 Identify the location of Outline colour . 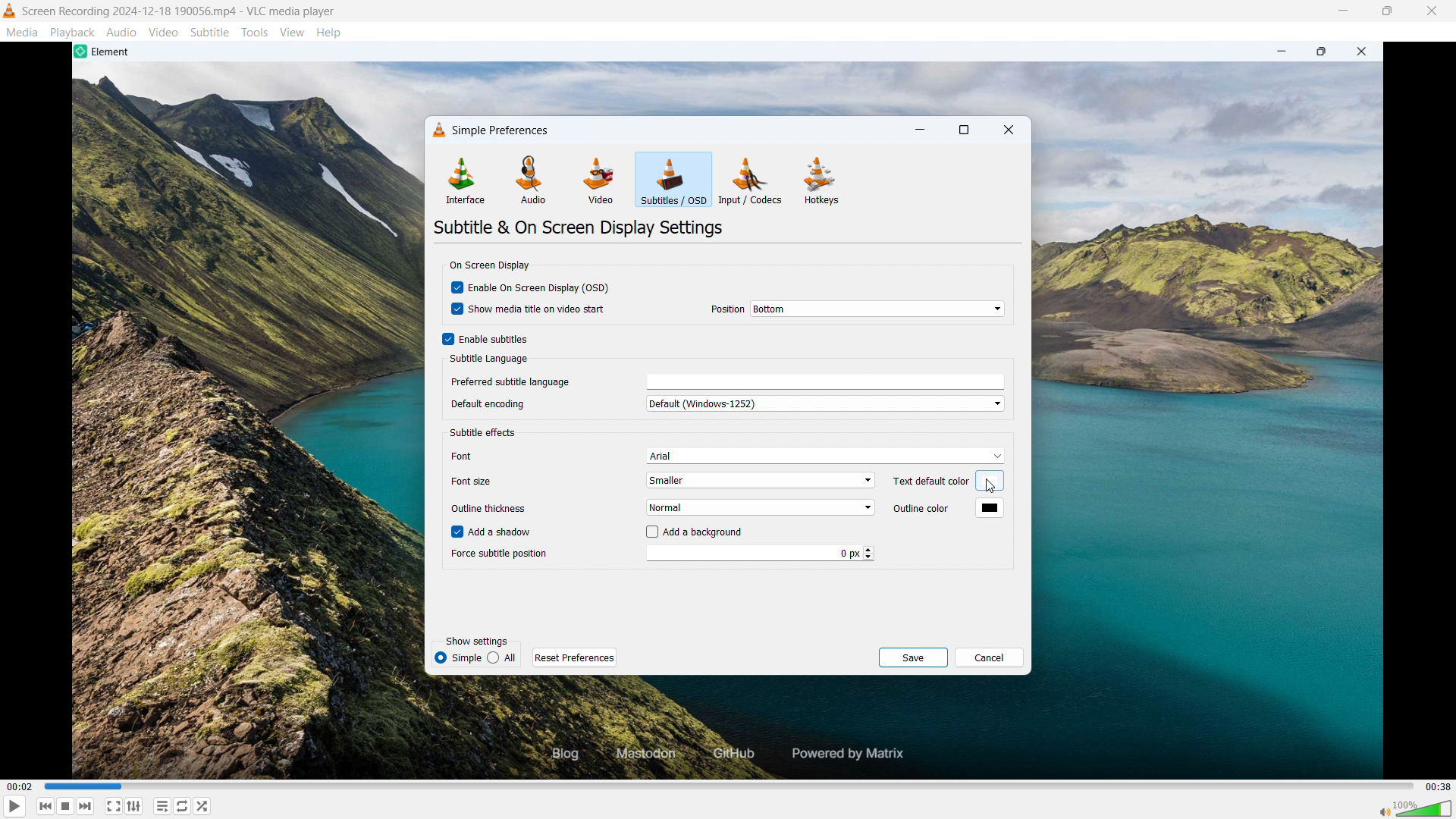
(990, 508).